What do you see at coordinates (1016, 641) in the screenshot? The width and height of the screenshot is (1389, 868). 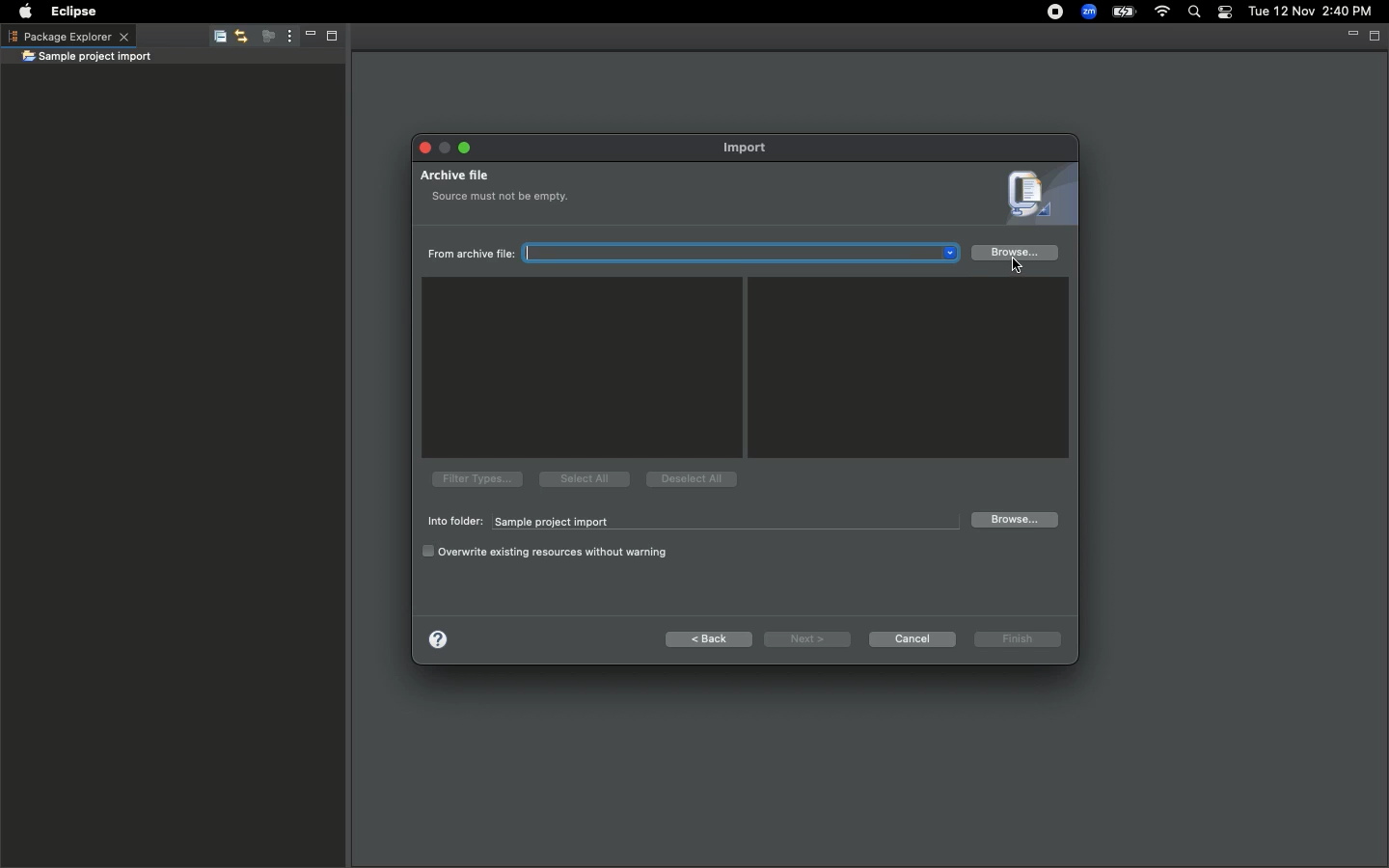 I see `Finish` at bounding box center [1016, 641].